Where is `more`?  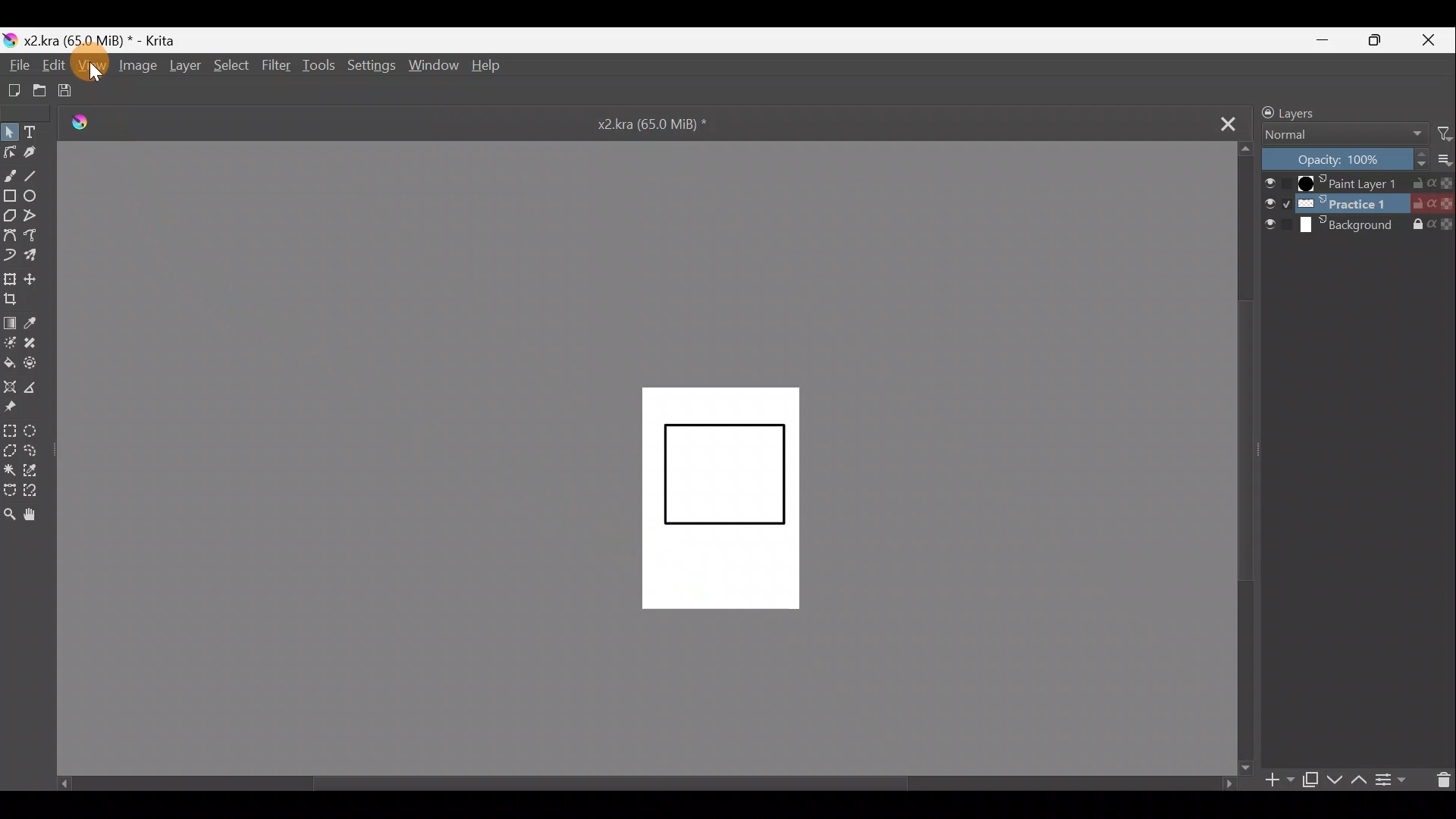 more is located at coordinates (1447, 162).